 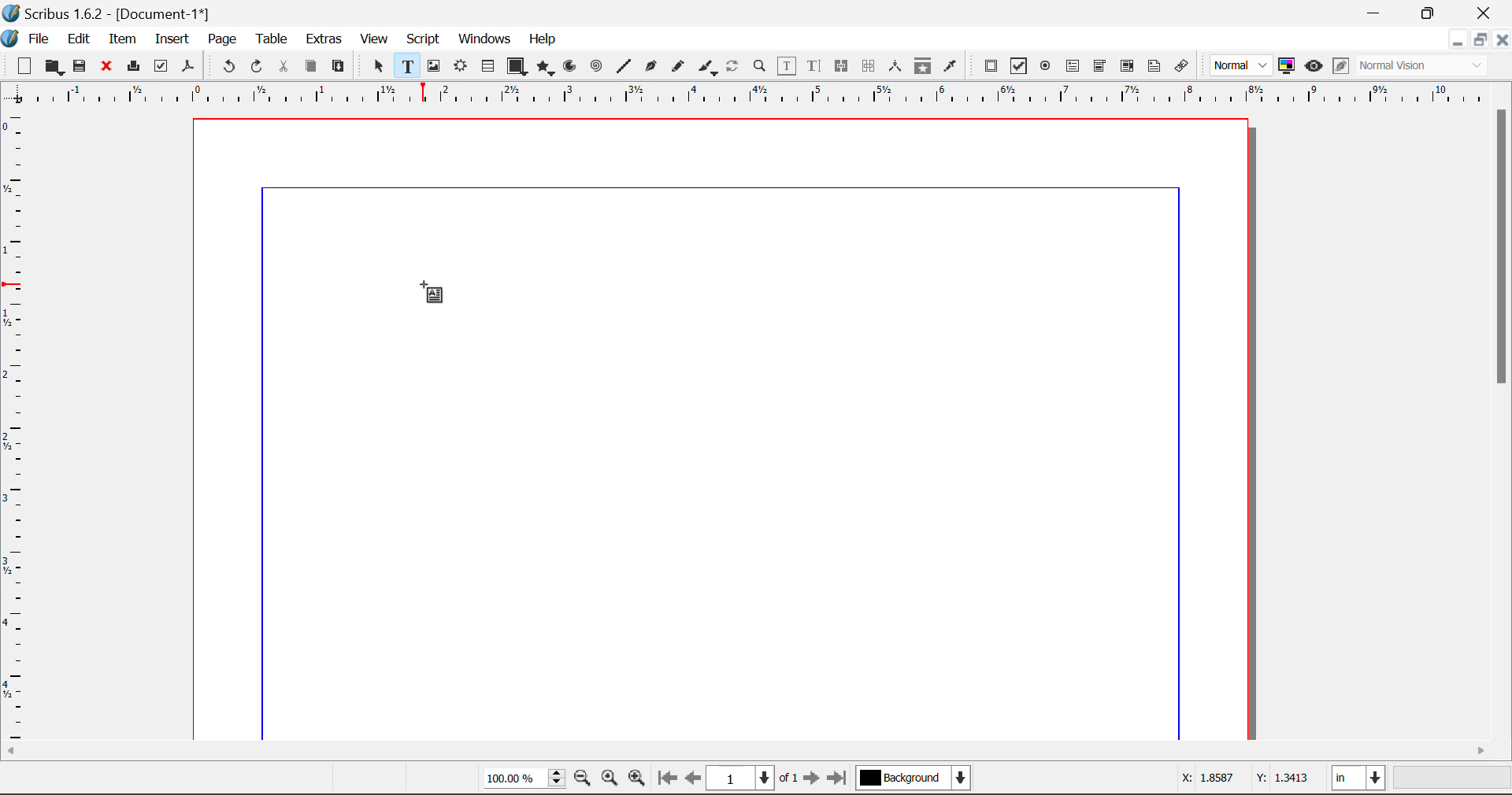 What do you see at coordinates (1377, 13) in the screenshot?
I see `Restore Down` at bounding box center [1377, 13].